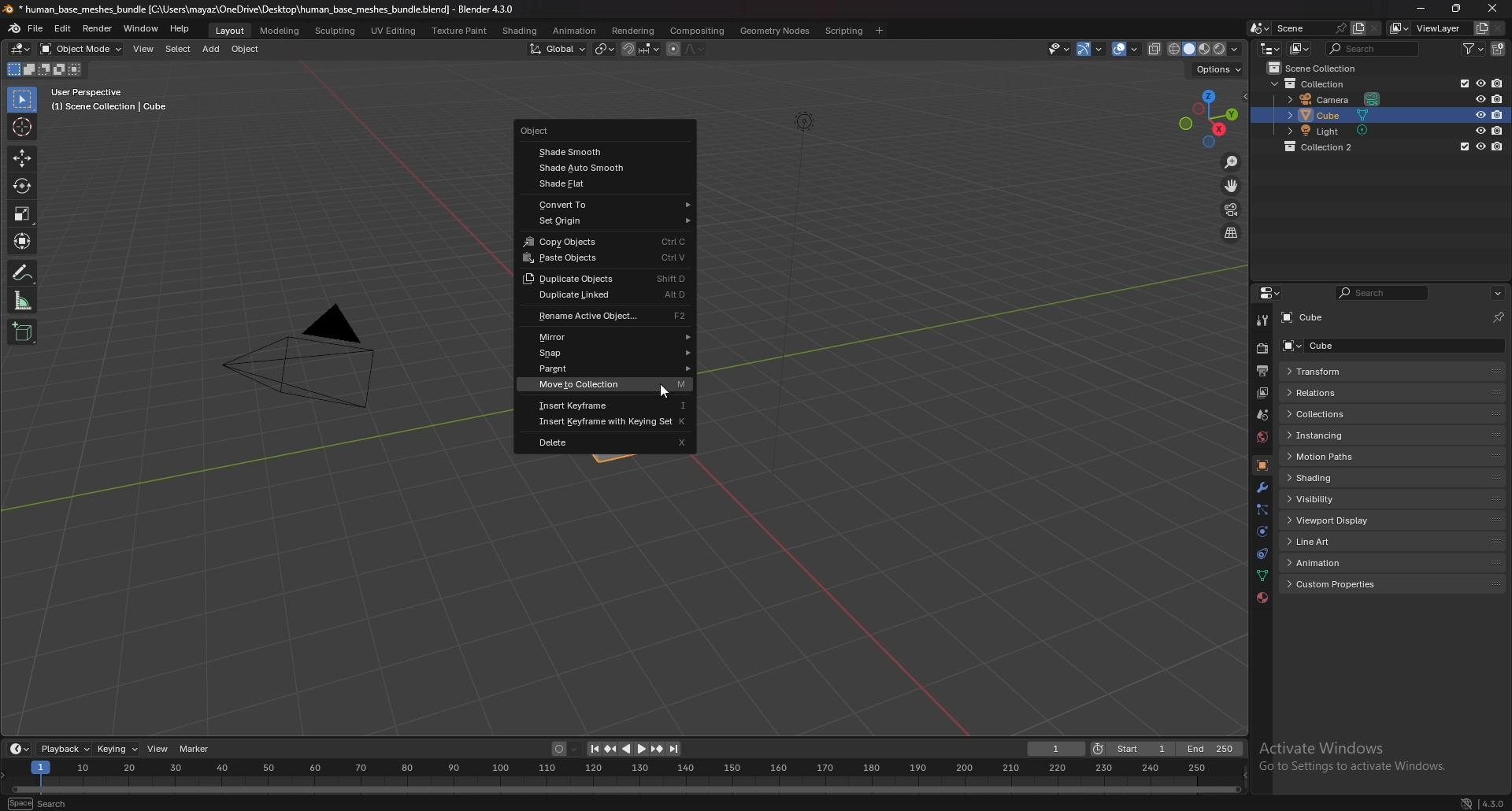 This screenshot has width=1512, height=811. Describe the element at coordinates (1498, 146) in the screenshot. I see `disable in renders` at that location.